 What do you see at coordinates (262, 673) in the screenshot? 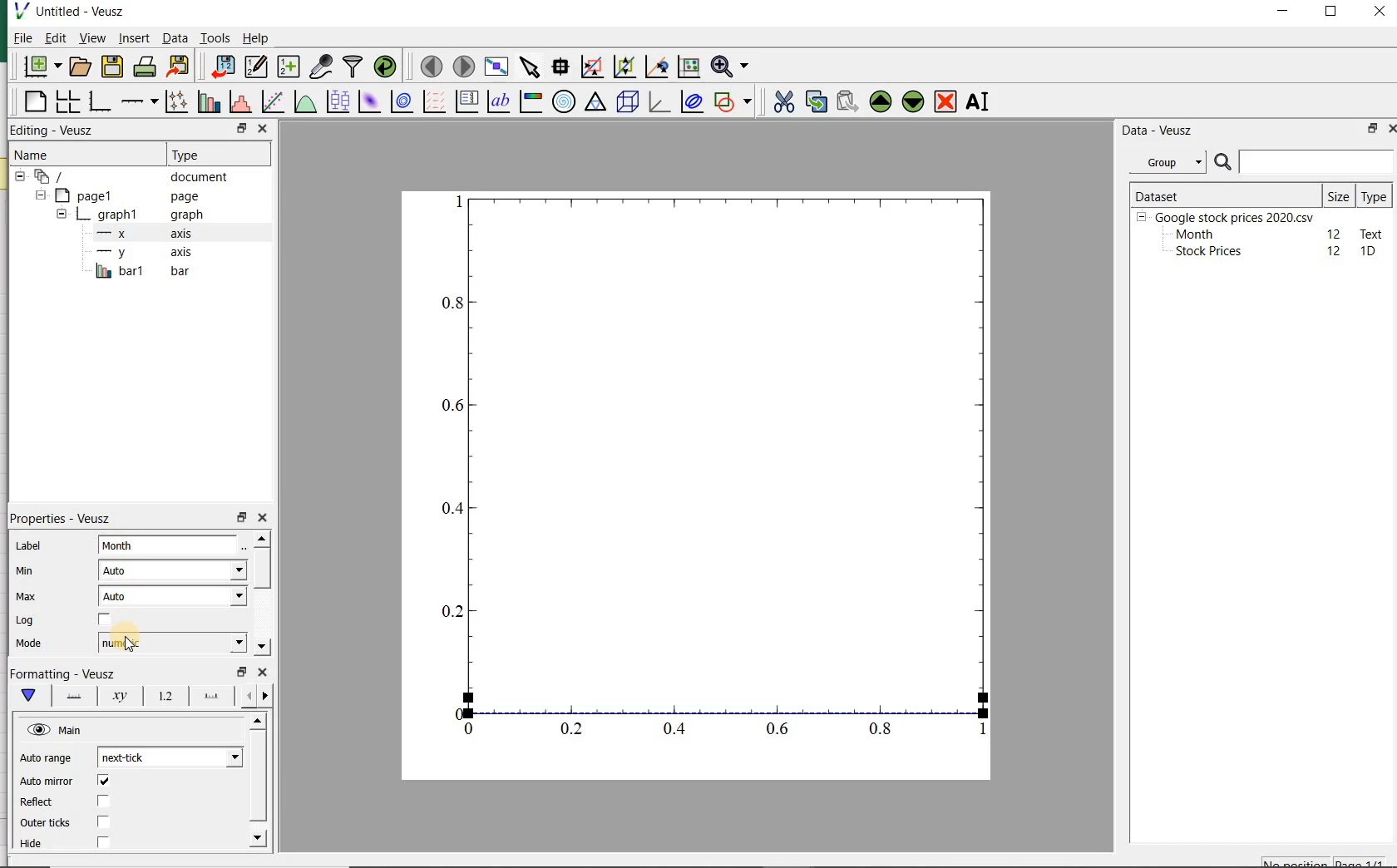
I see `close` at bounding box center [262, 673].